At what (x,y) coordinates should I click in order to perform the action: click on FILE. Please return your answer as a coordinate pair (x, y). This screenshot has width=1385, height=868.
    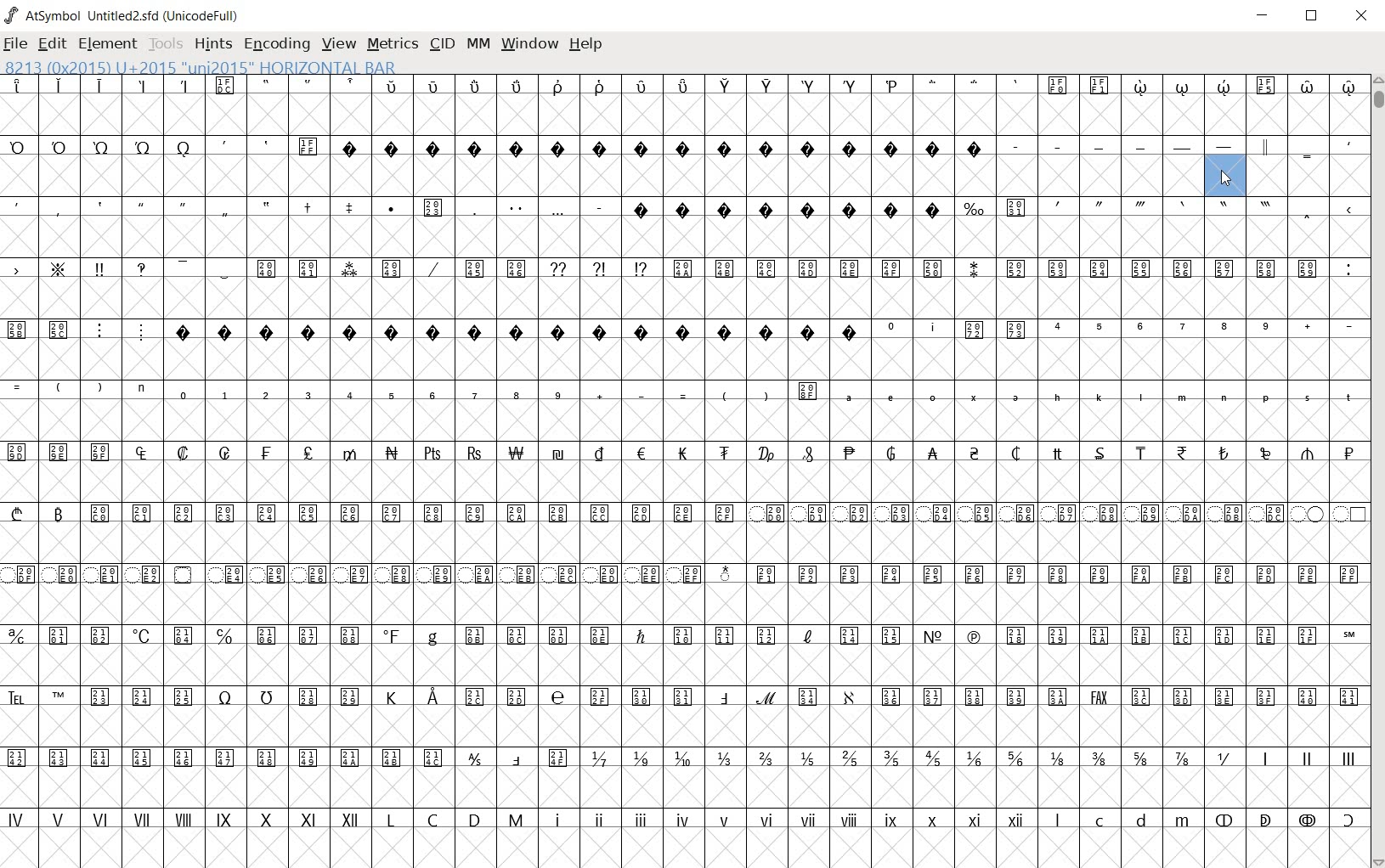
    Looking at the image, I should click on (18, 42).